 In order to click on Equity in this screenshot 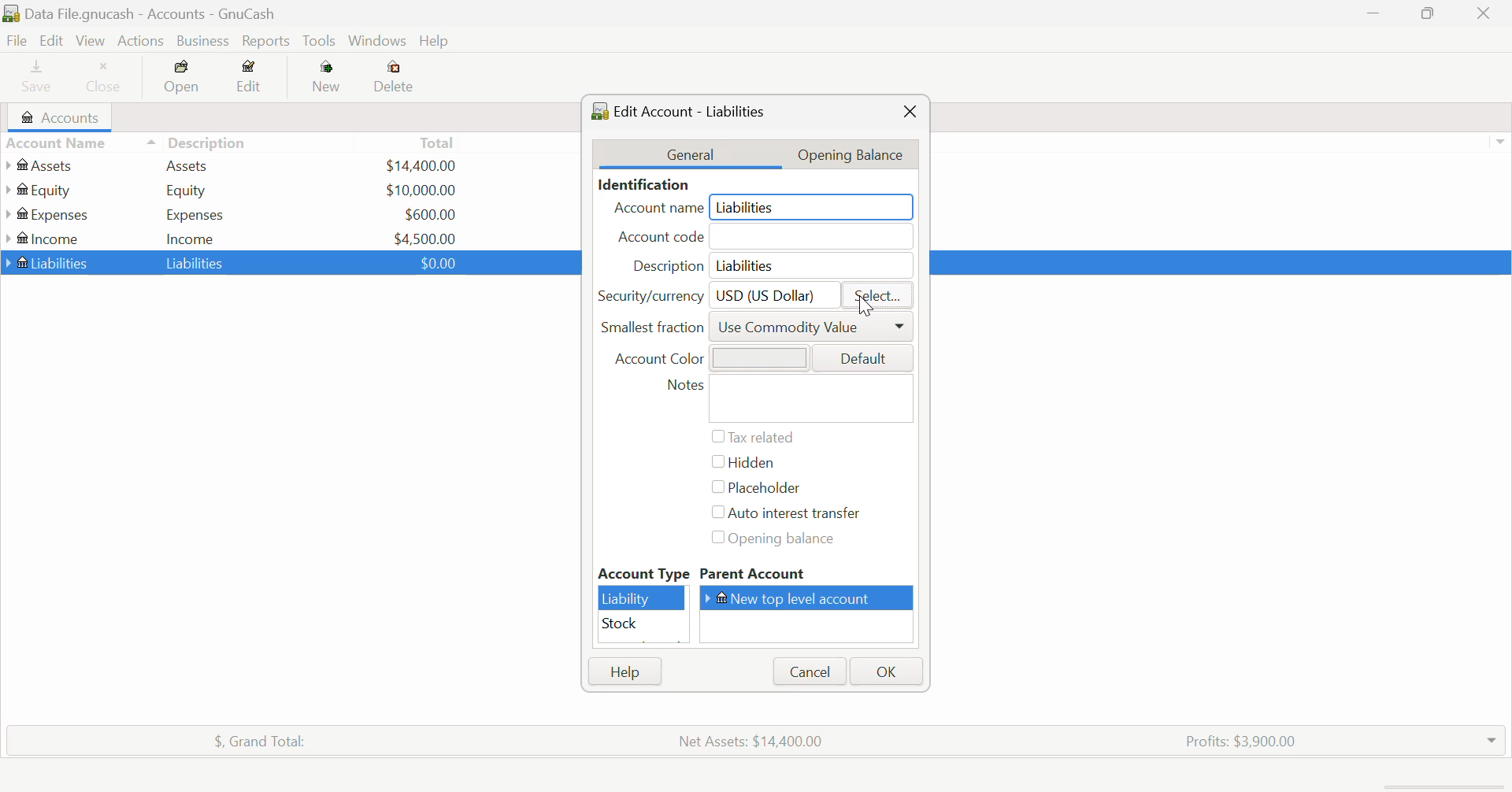, I will do `click(189, 190)`.